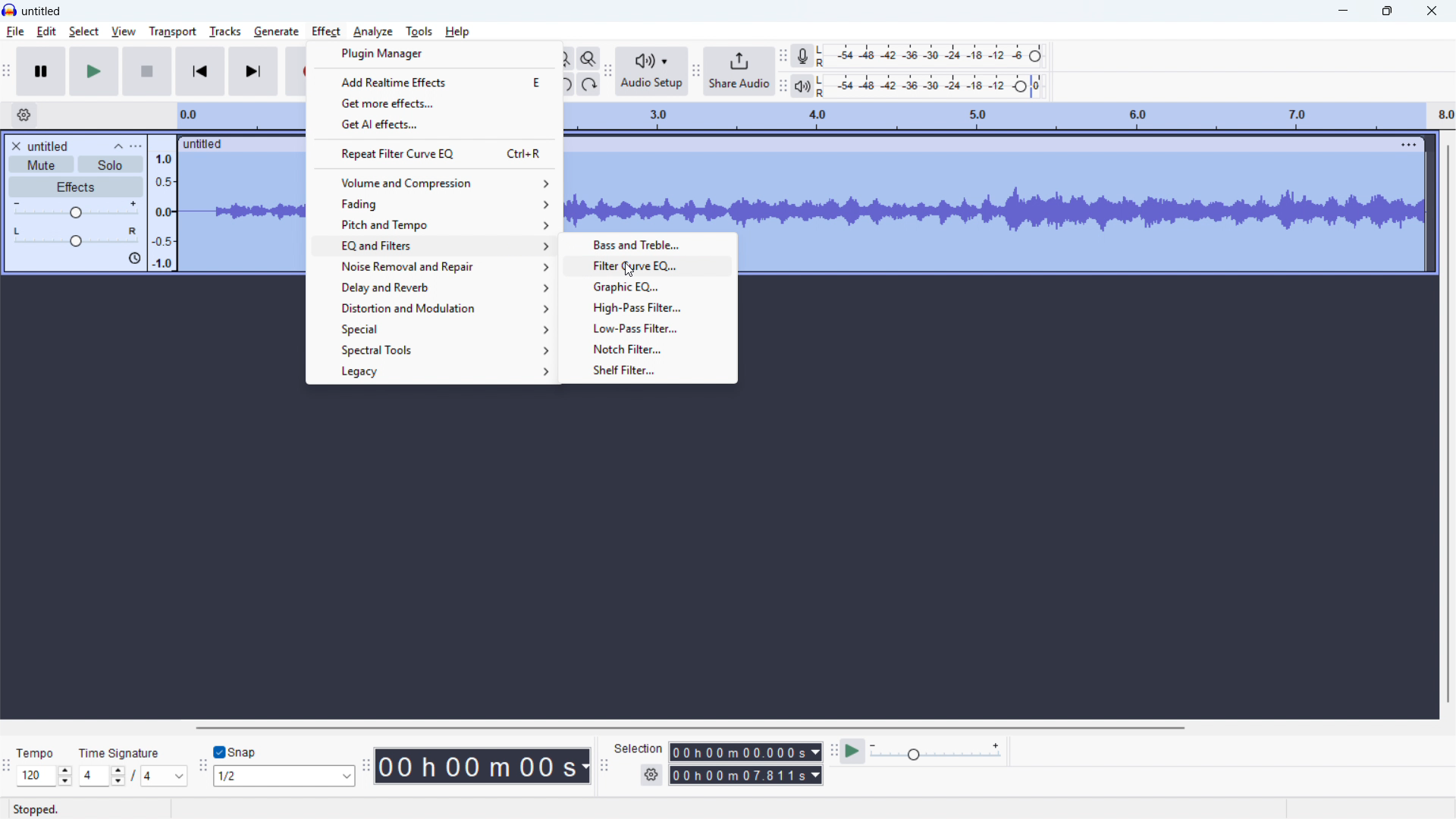  Describe the element at coordinates (43, 777) in the screenshot. I see `Set tempo ` at that location.